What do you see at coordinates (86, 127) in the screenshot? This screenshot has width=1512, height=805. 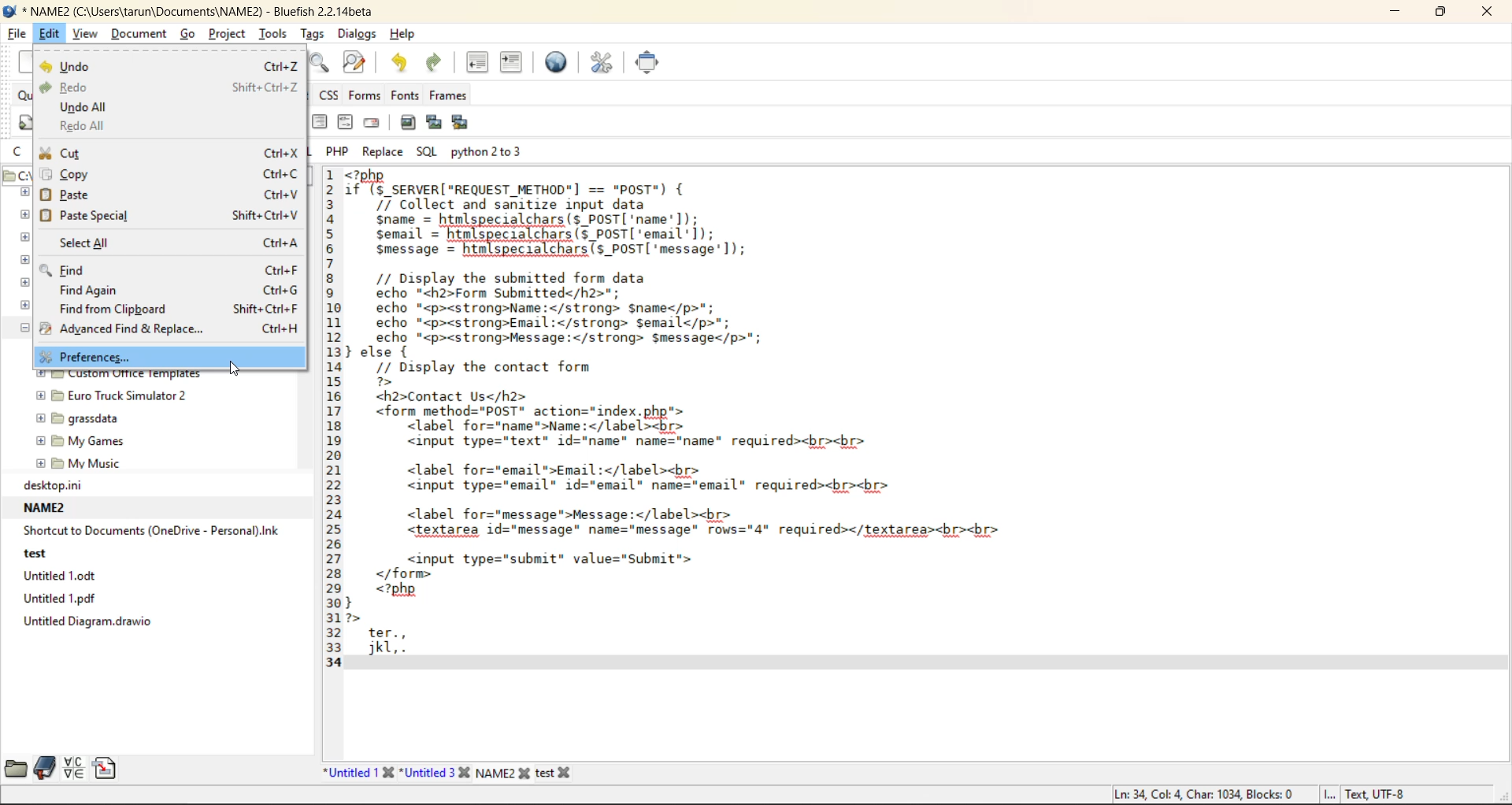 I see `redo all` at bounding box center [86, 127].